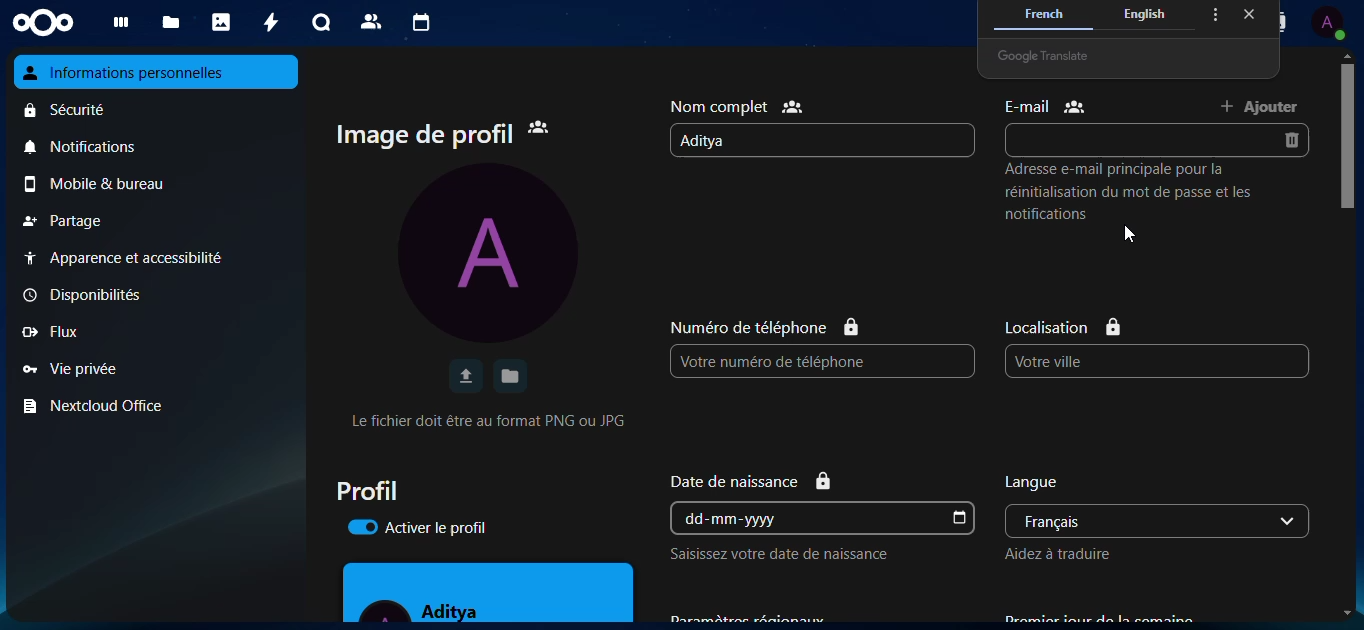 The image size is (1364, 630). What do you see at coordinates (1111, 520) in the screenshot?
I see `Fracais` at bounding box center [1111, 520].